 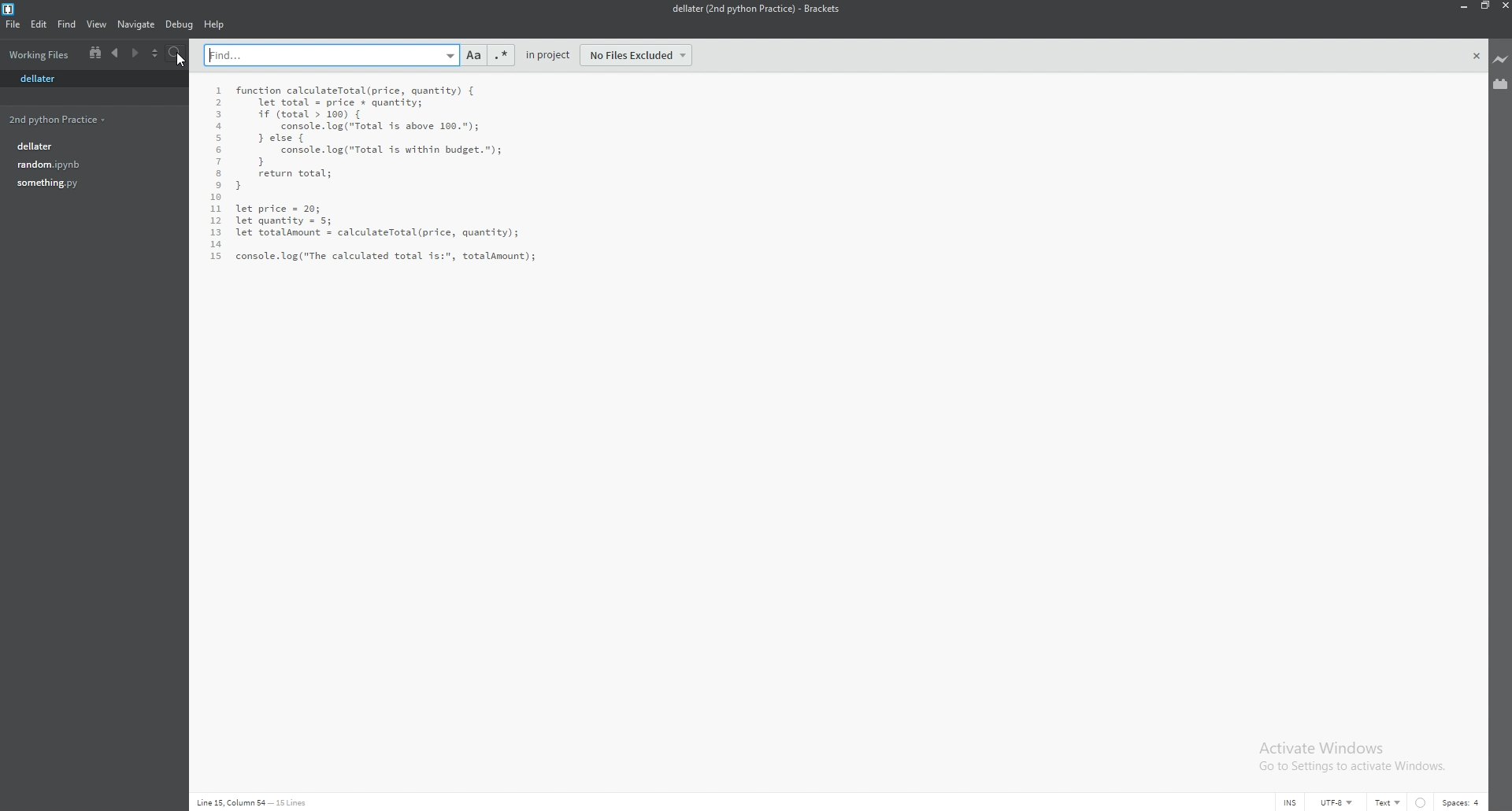 What do you see at coordinates (39, 54) in the screenshot?
I see `working files` at bounding box center [39, 54].